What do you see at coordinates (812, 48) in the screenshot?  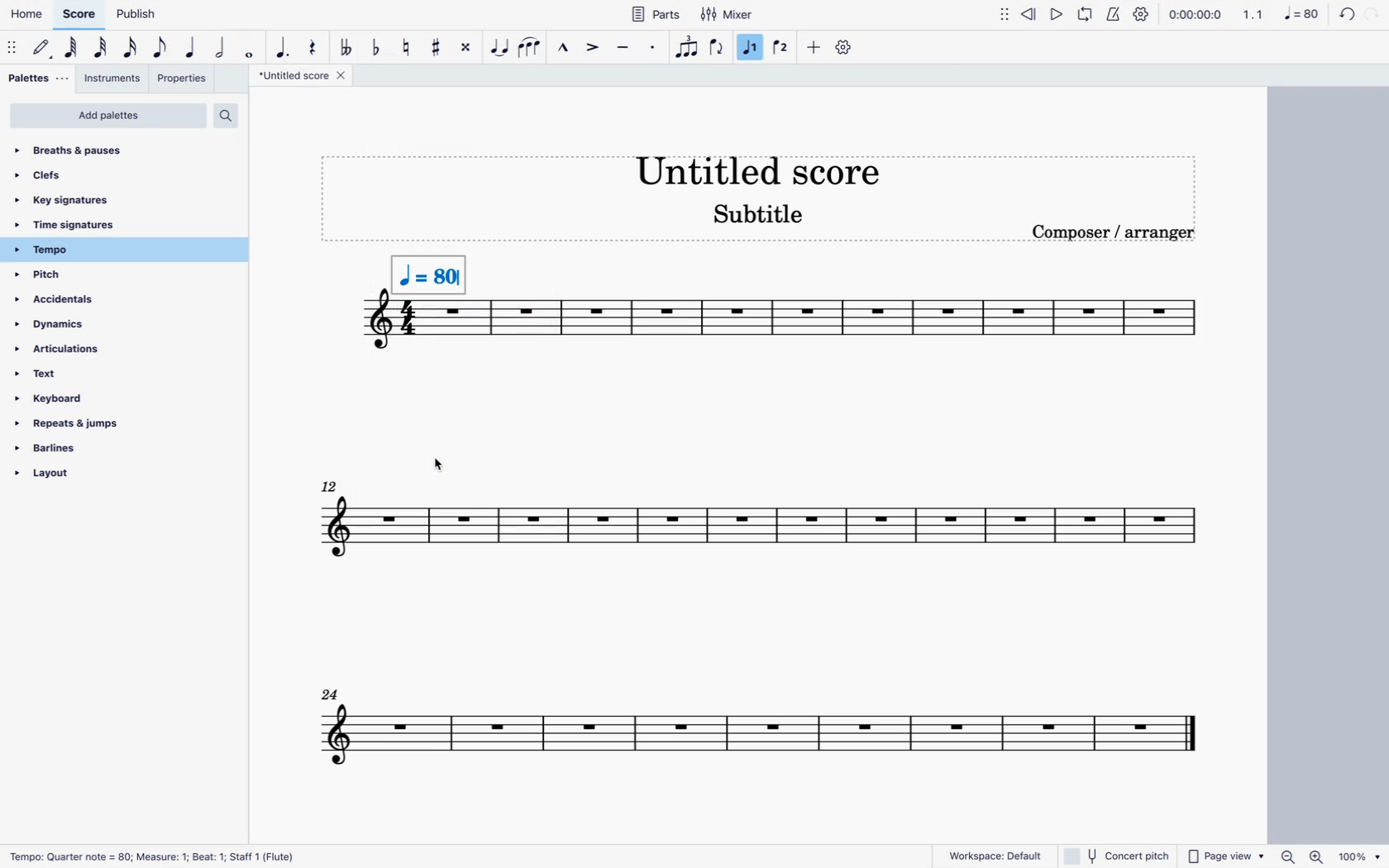 I see `more` at bounding box center [812, 48].